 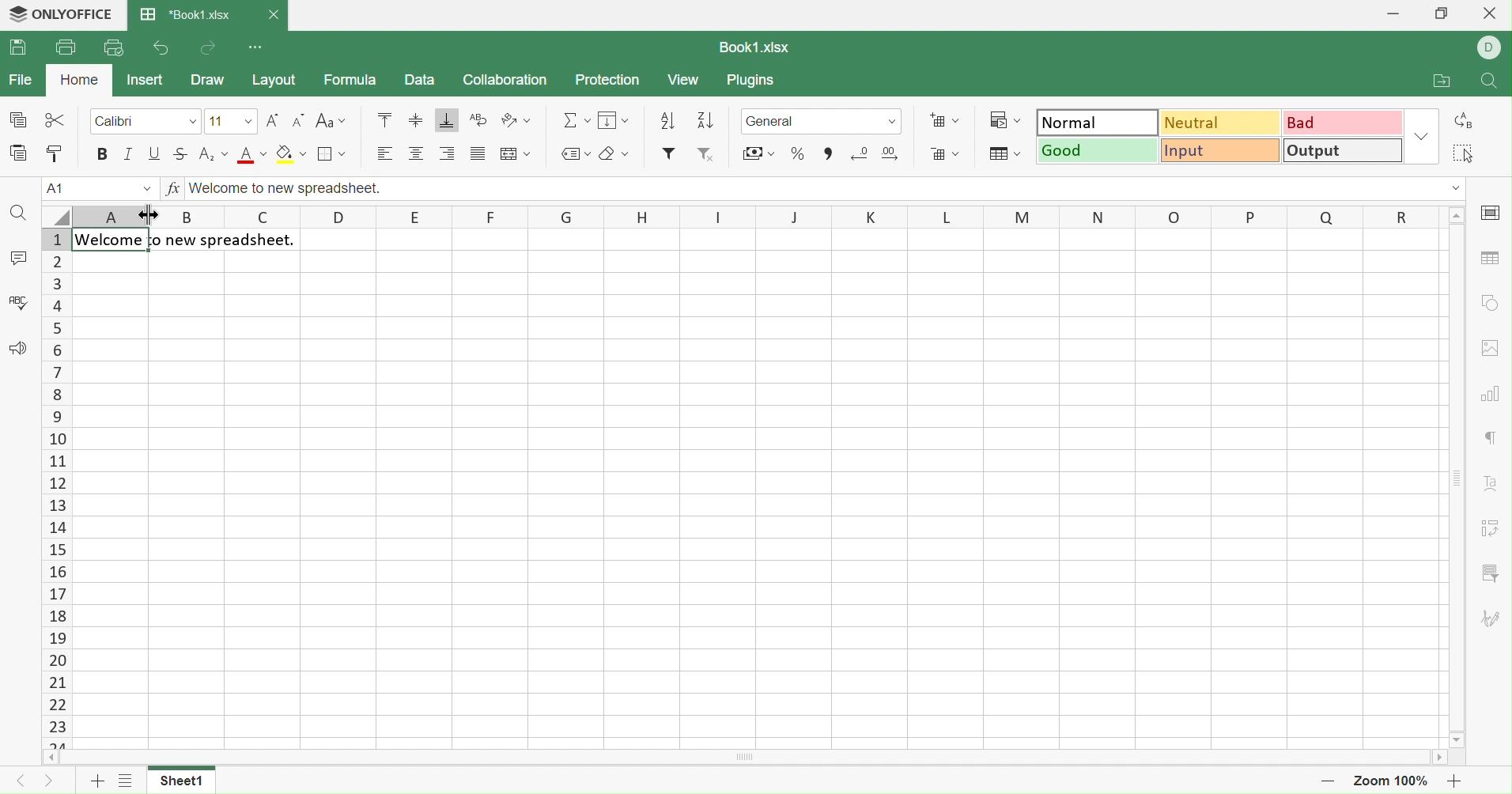 I want to click on Clear, so click(x=615, y=153).